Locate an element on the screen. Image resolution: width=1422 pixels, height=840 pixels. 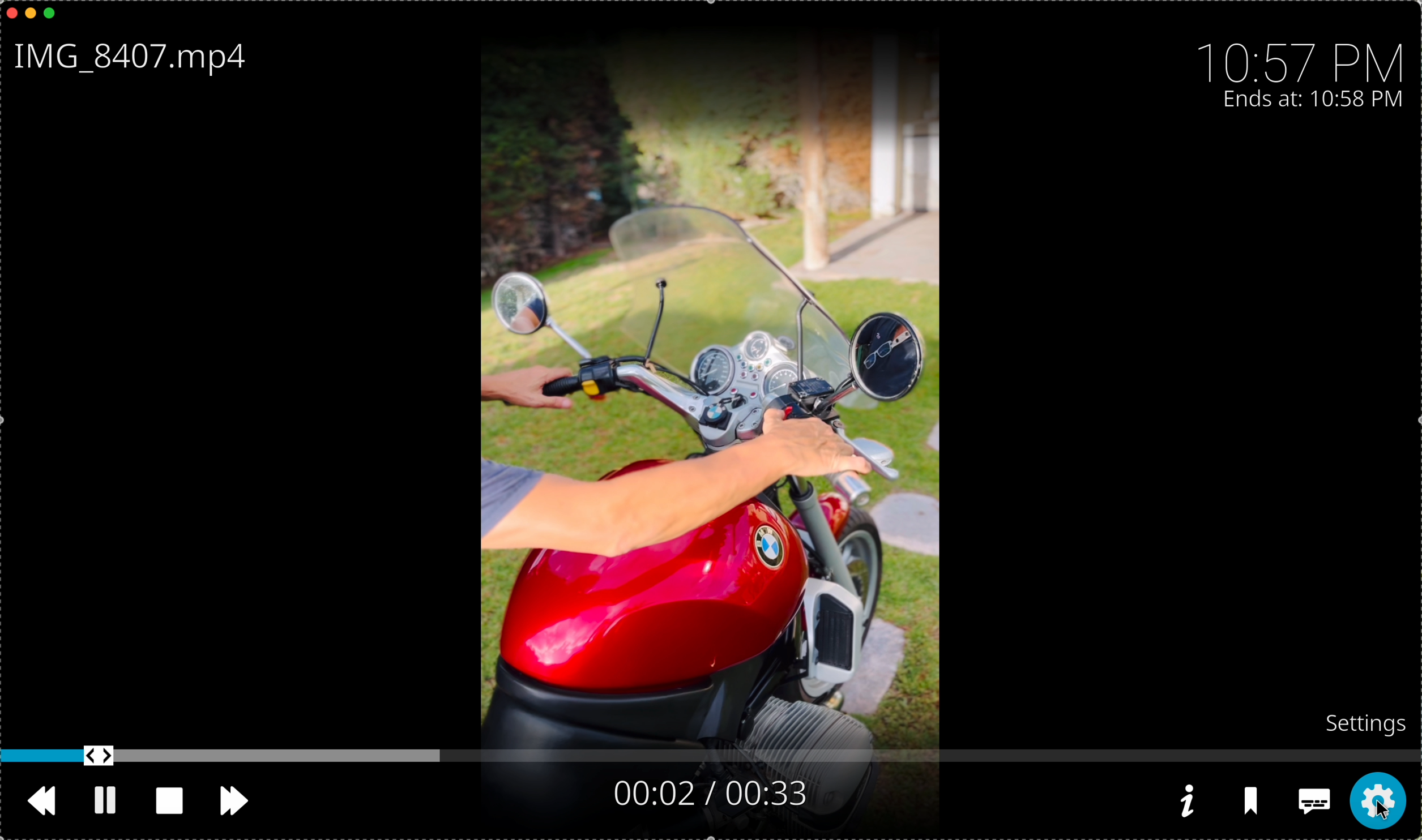
maximize is located at coordinates (55, 14).